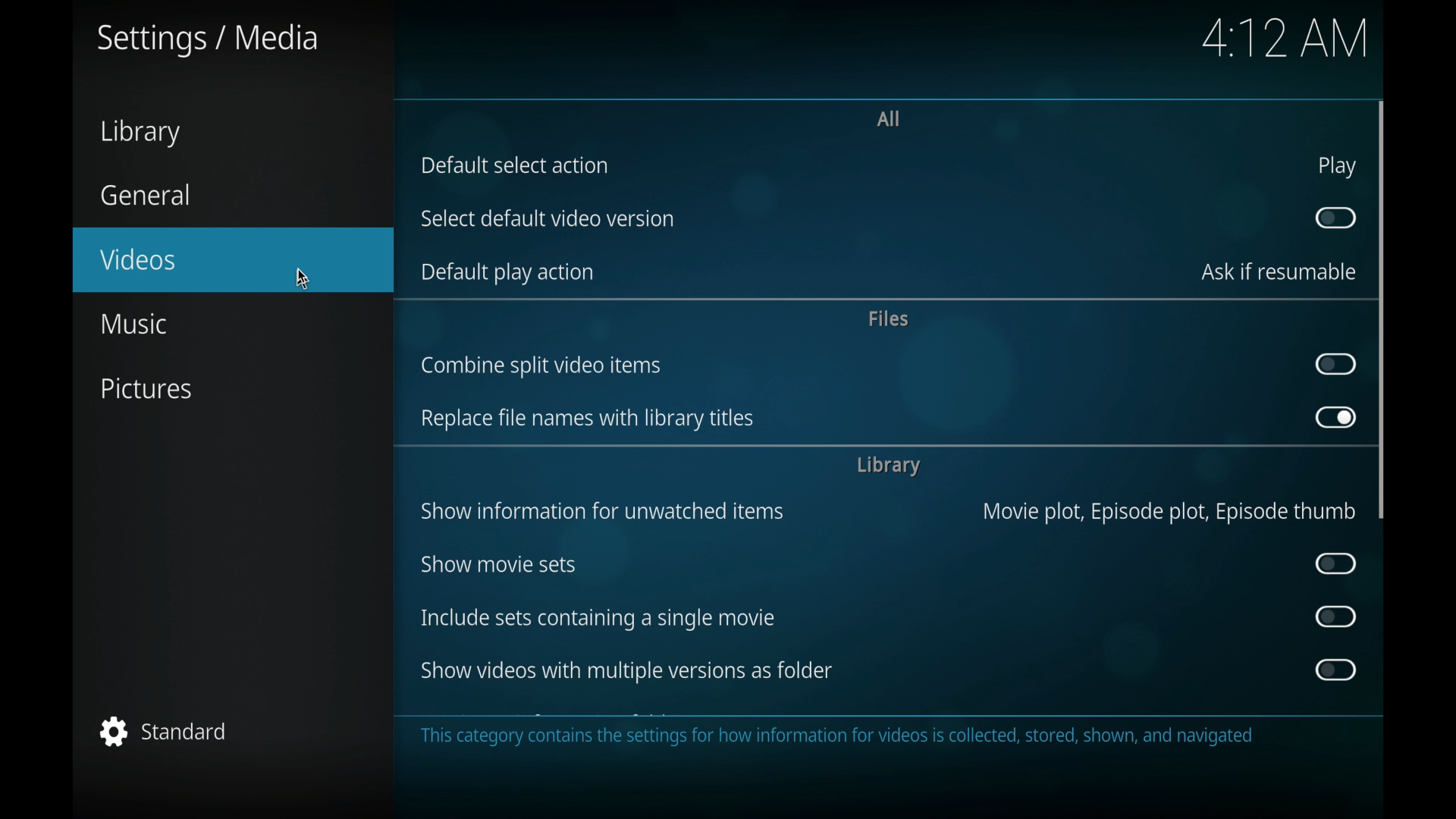  What do you see at coordinates (1337, 167) in the screenshot?
I see `play` at bounding box center [1337, 167].